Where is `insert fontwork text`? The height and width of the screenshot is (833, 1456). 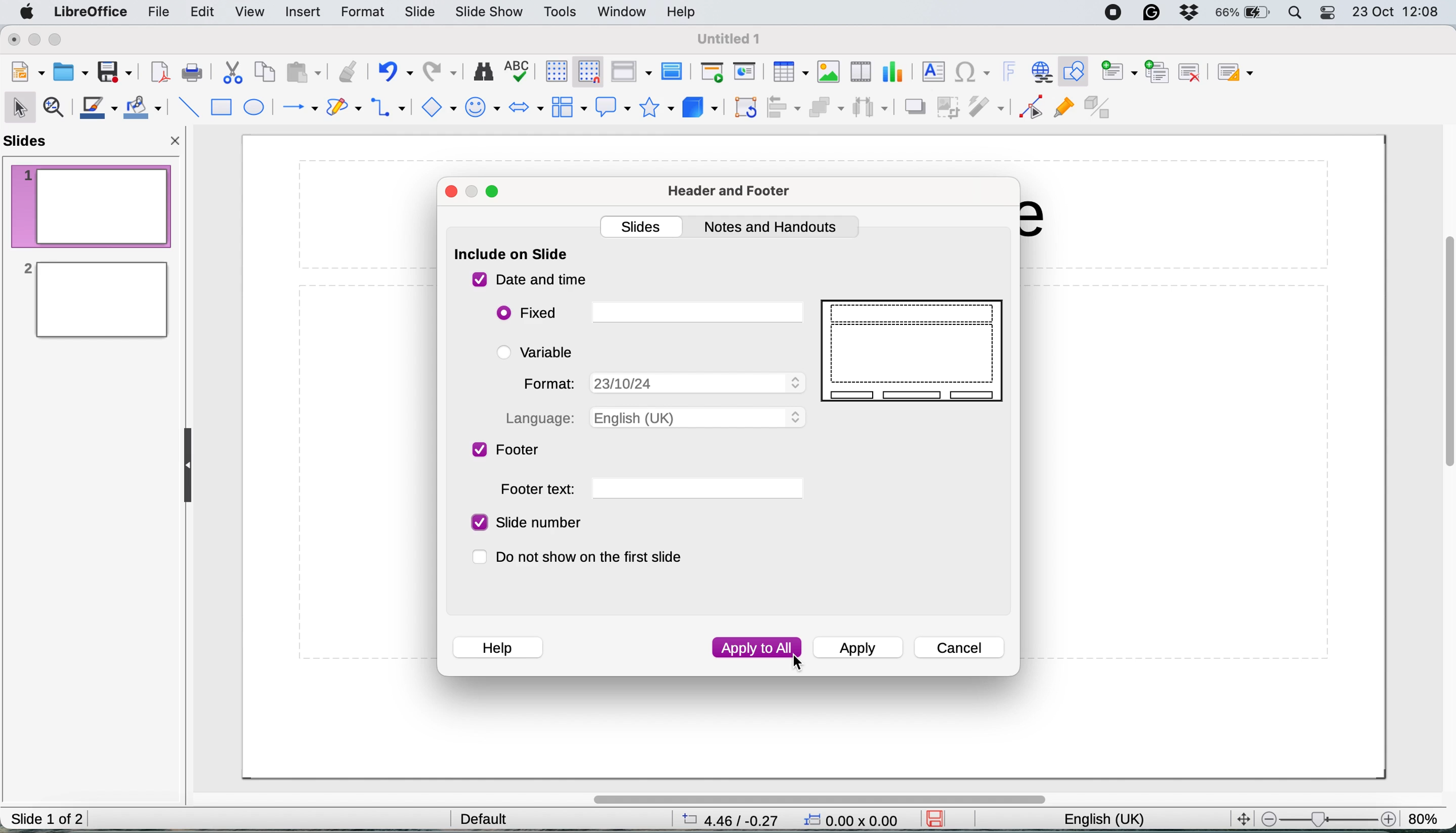
insert fontwork text is located at coordinates (1009, 72).